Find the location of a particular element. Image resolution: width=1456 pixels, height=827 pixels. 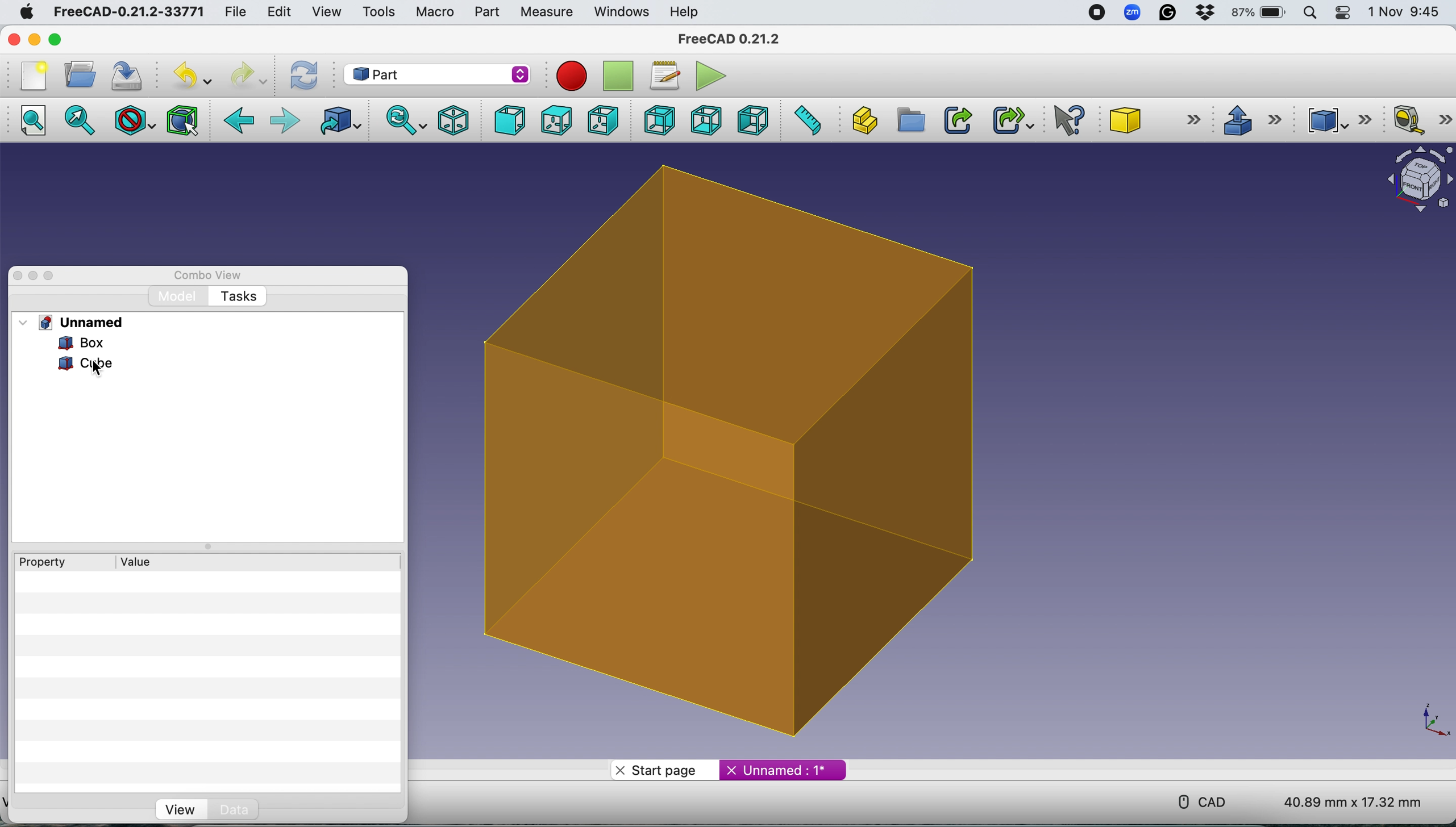

Left is located at coordinates (752, 120).